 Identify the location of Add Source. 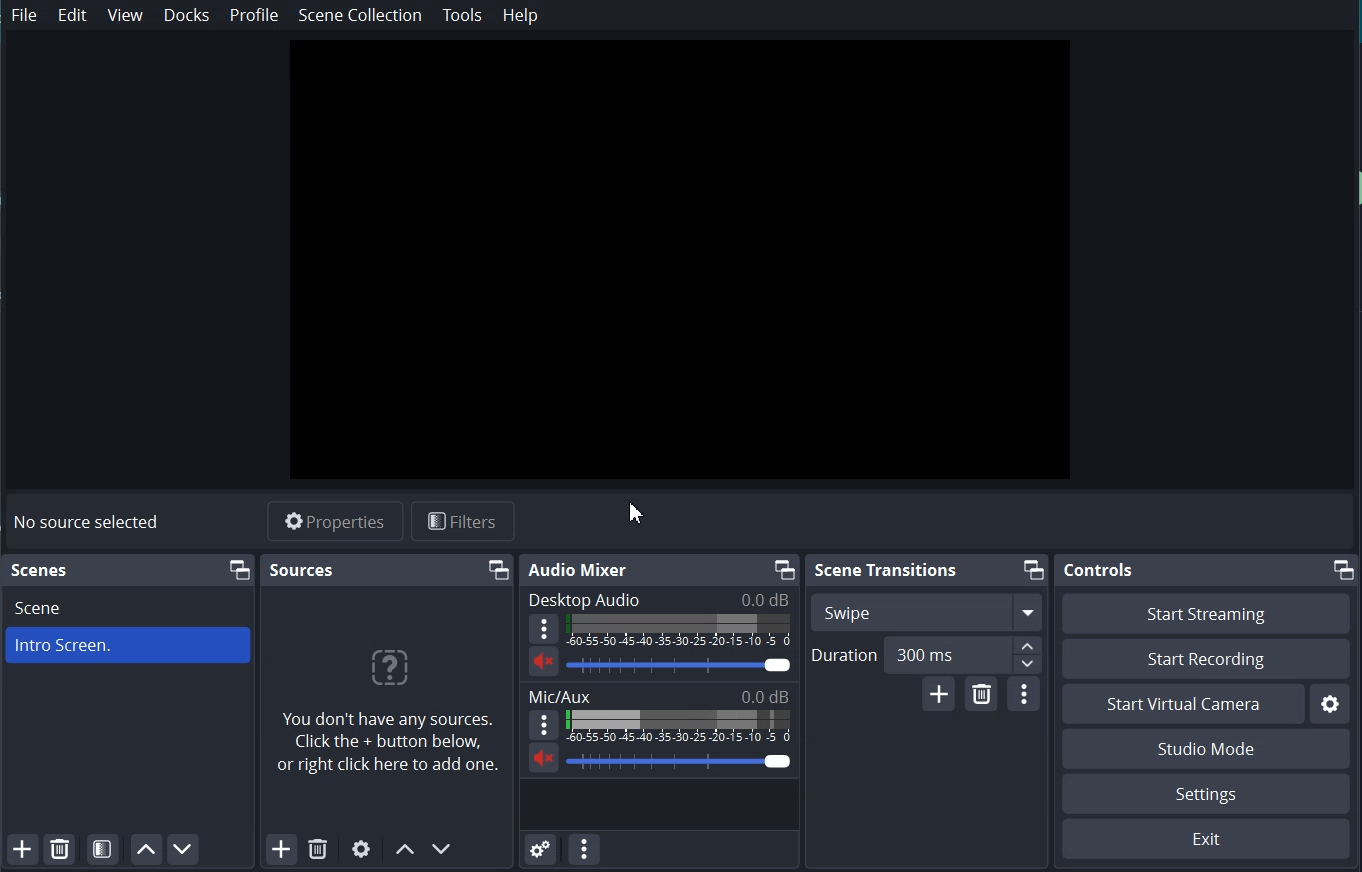
(281, 850).